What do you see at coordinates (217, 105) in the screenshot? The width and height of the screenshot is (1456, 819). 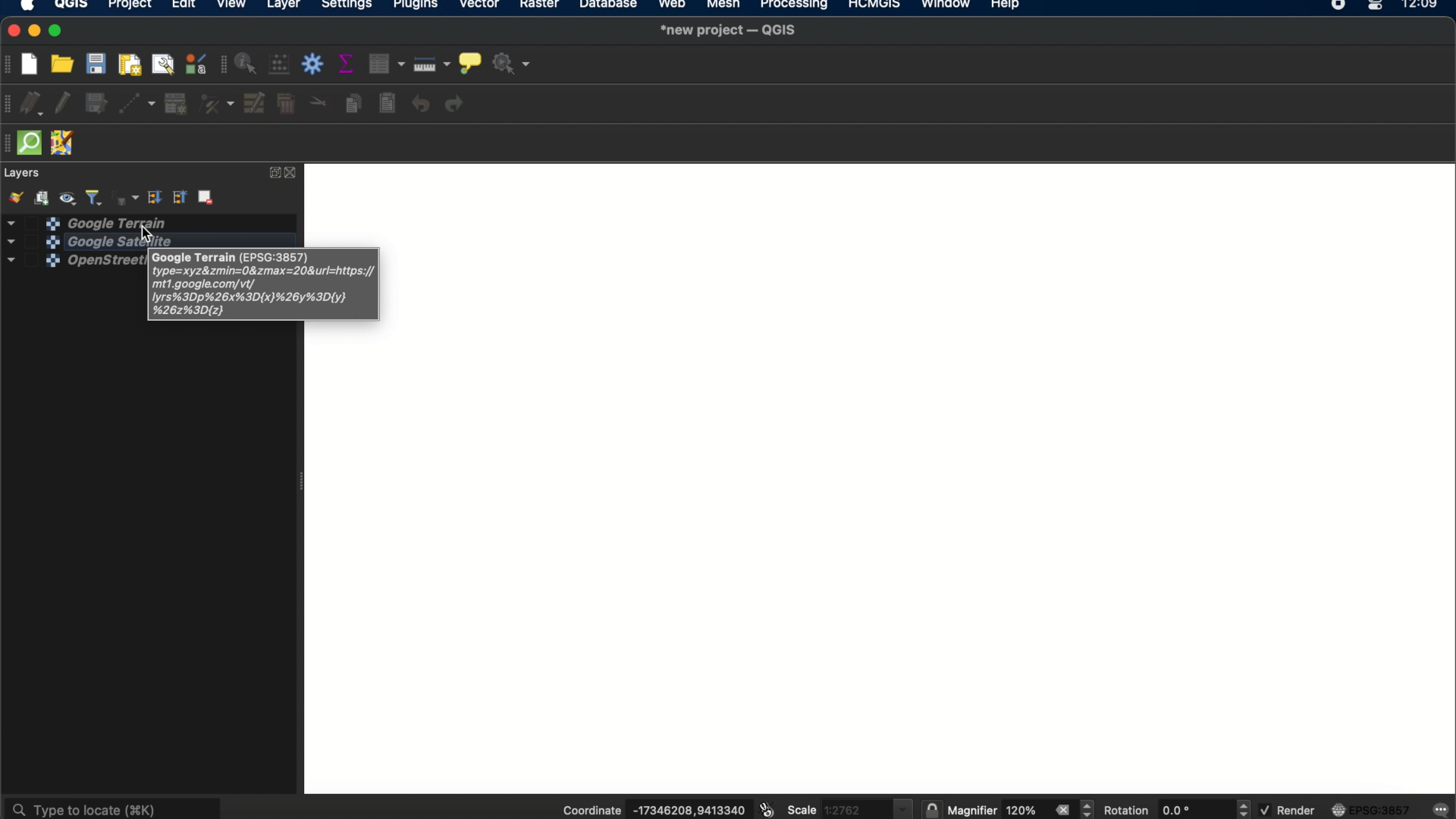 I see `vertex tool` at bounding box center [217, 105].